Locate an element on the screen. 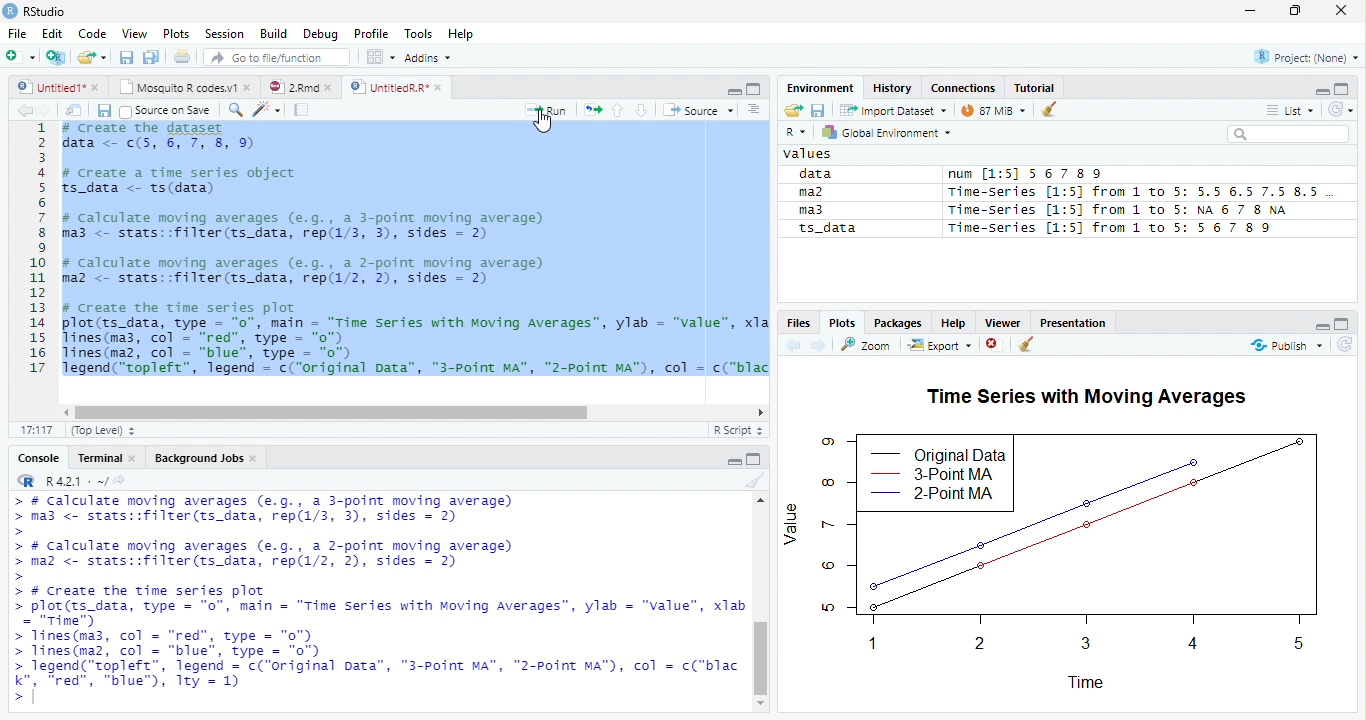 The width and height of the screenshot is (1366, 720). History is located at coordinates (892, 87).